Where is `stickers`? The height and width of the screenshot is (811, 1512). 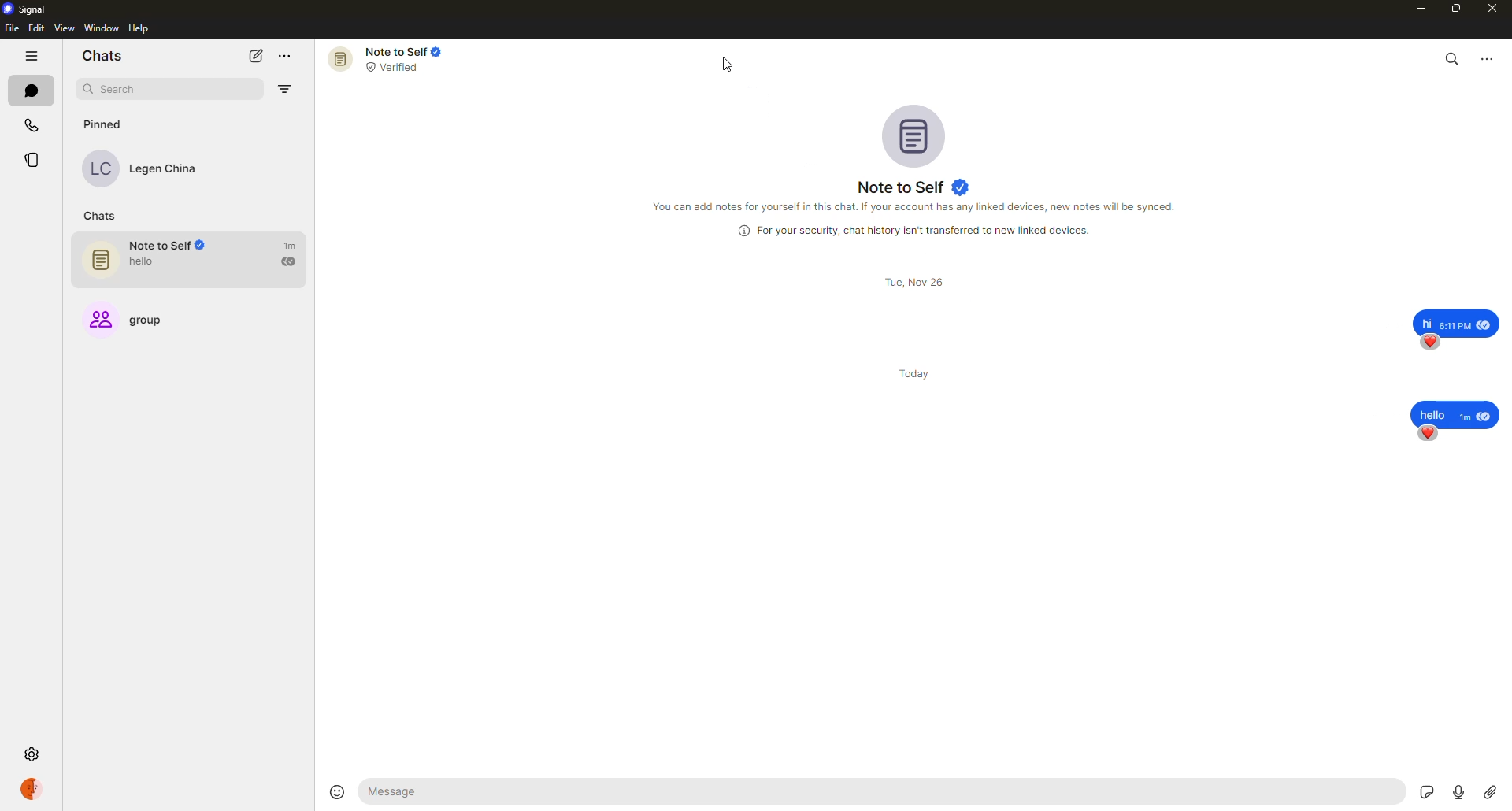
stickers is located at coordinates (1422, 791).